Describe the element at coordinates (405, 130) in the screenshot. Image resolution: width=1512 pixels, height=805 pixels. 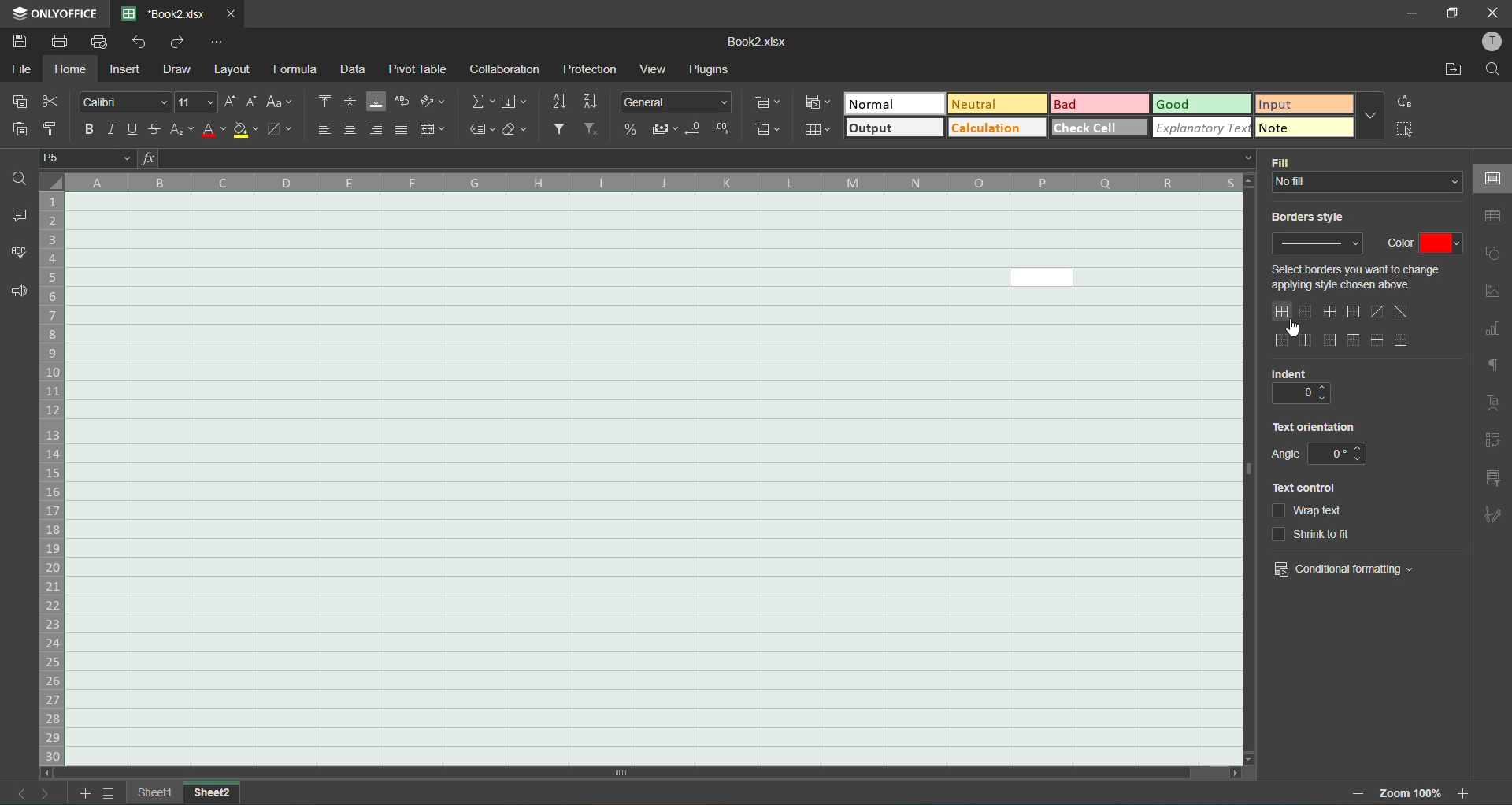
I see `justified` at that location.